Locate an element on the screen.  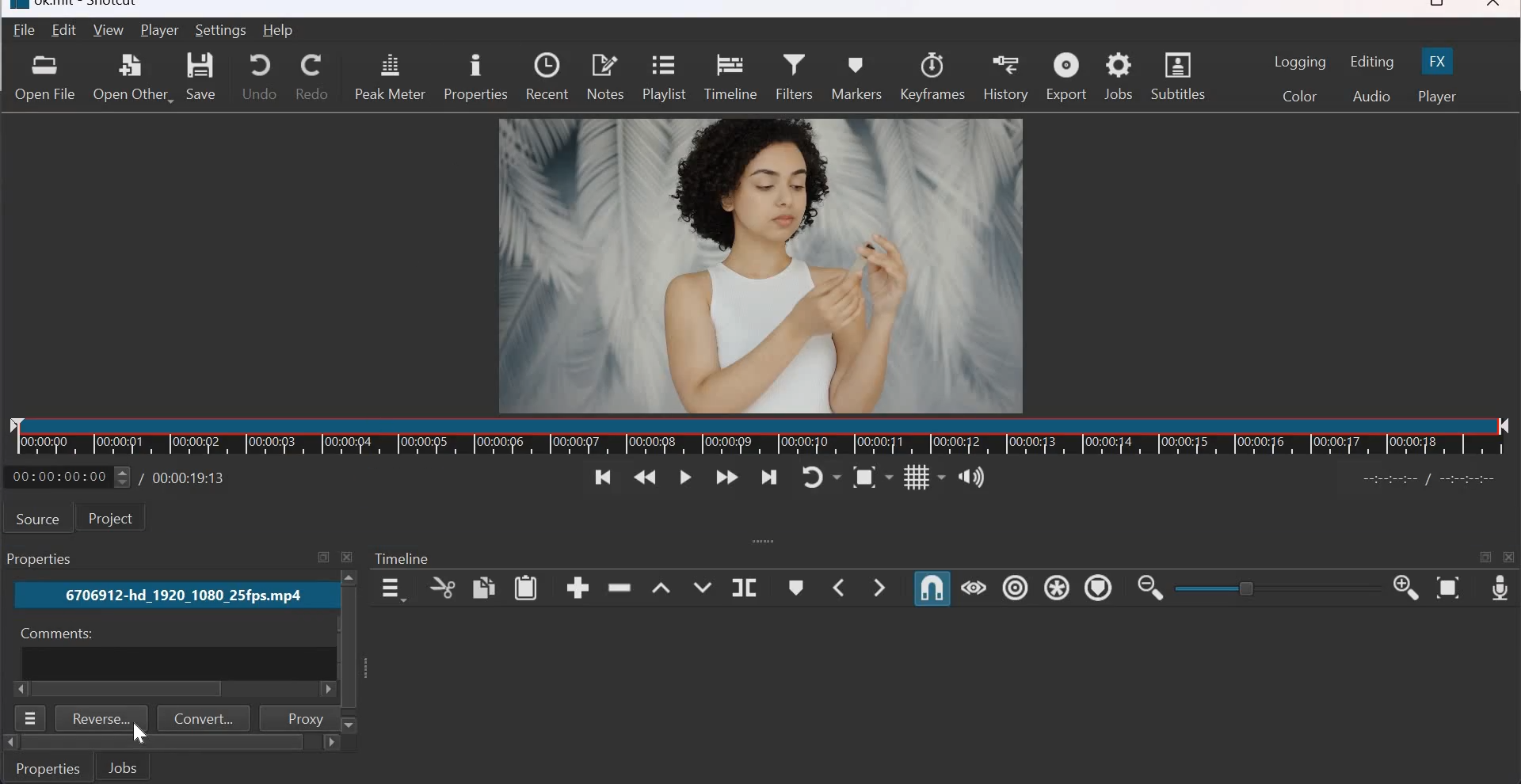
resize is located at coordinates (1434, 6).